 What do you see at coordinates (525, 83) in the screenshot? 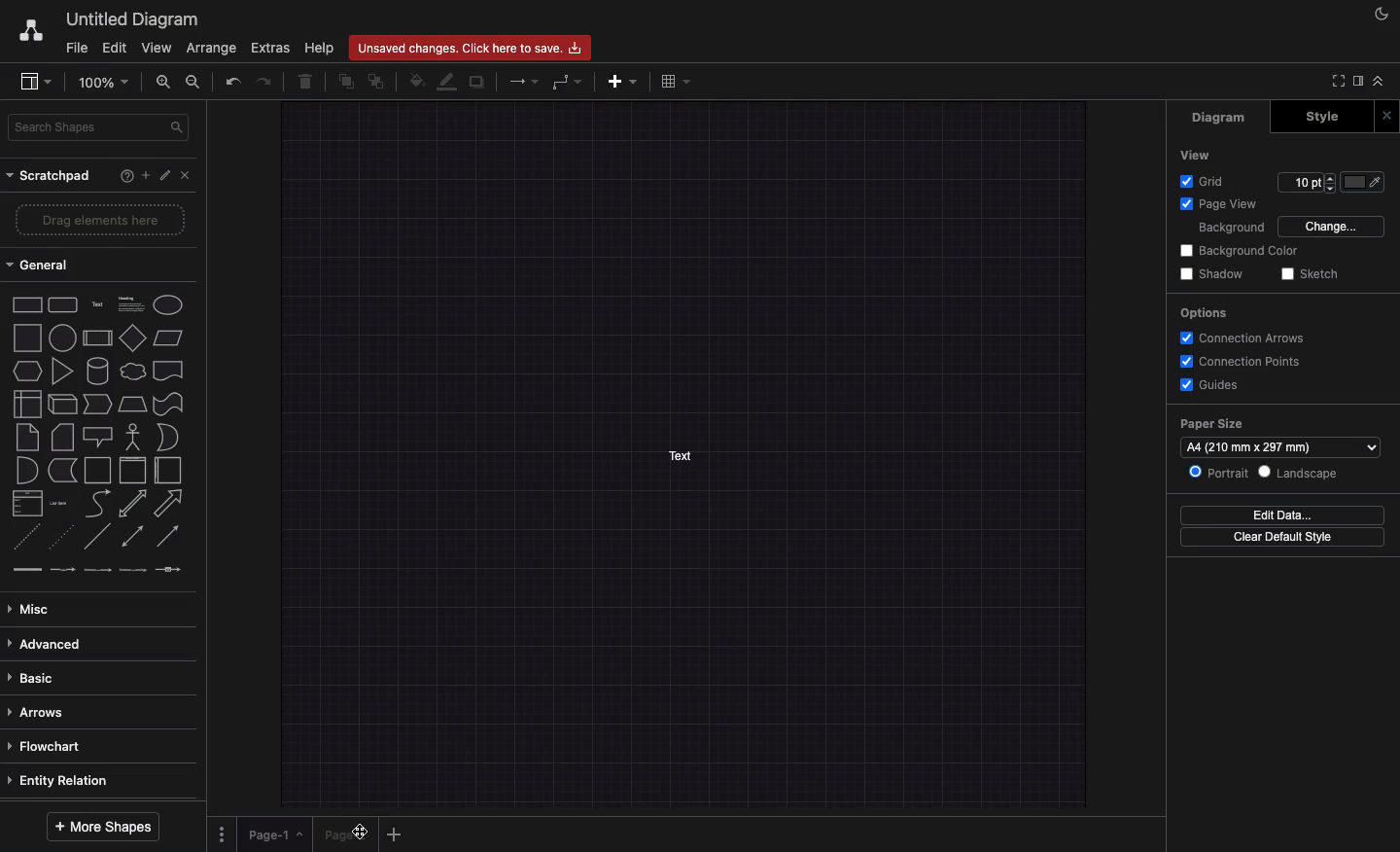
I see `Arrows` at bounding box center [525, 83].